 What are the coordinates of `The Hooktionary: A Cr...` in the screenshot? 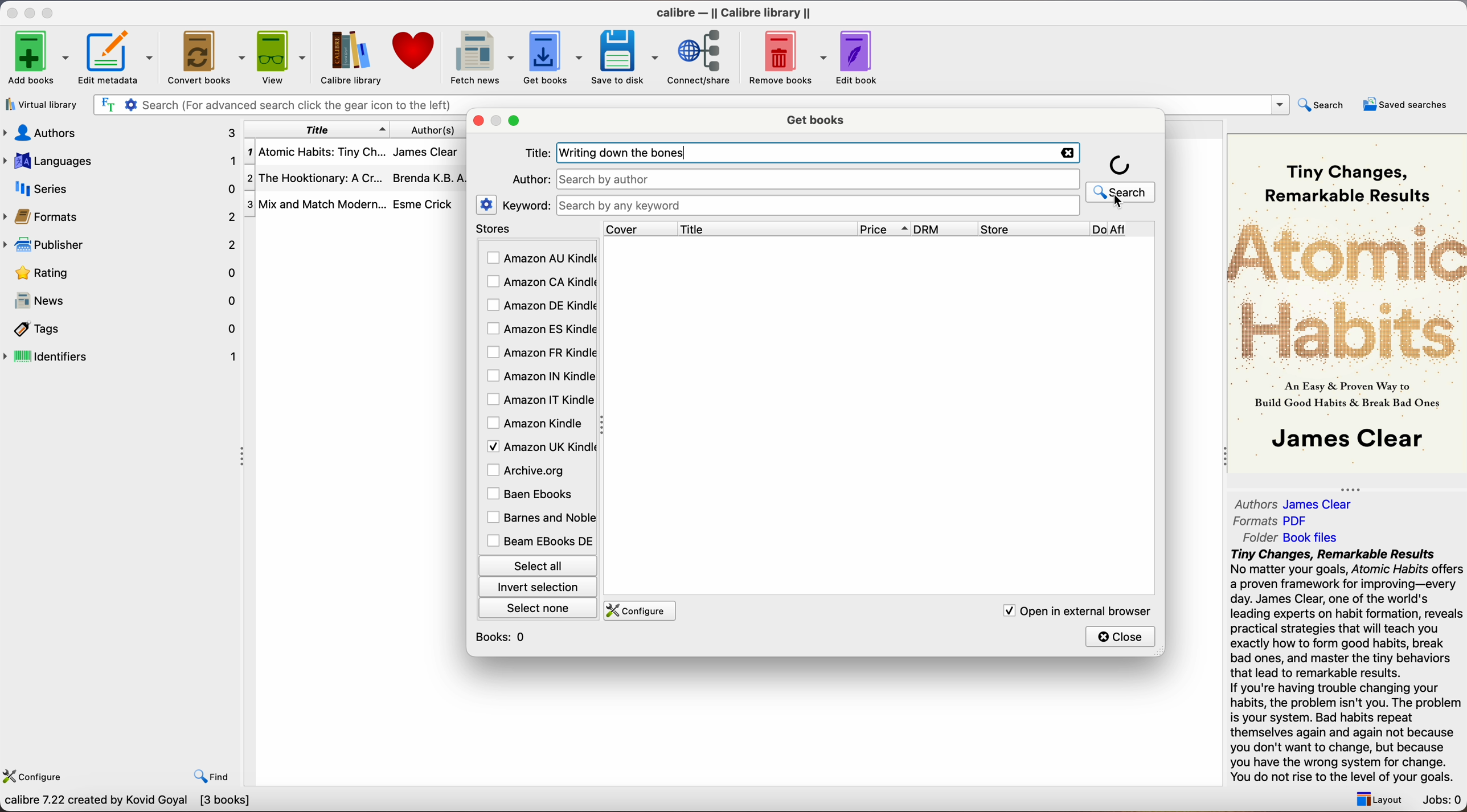 It's located at (315, 180).